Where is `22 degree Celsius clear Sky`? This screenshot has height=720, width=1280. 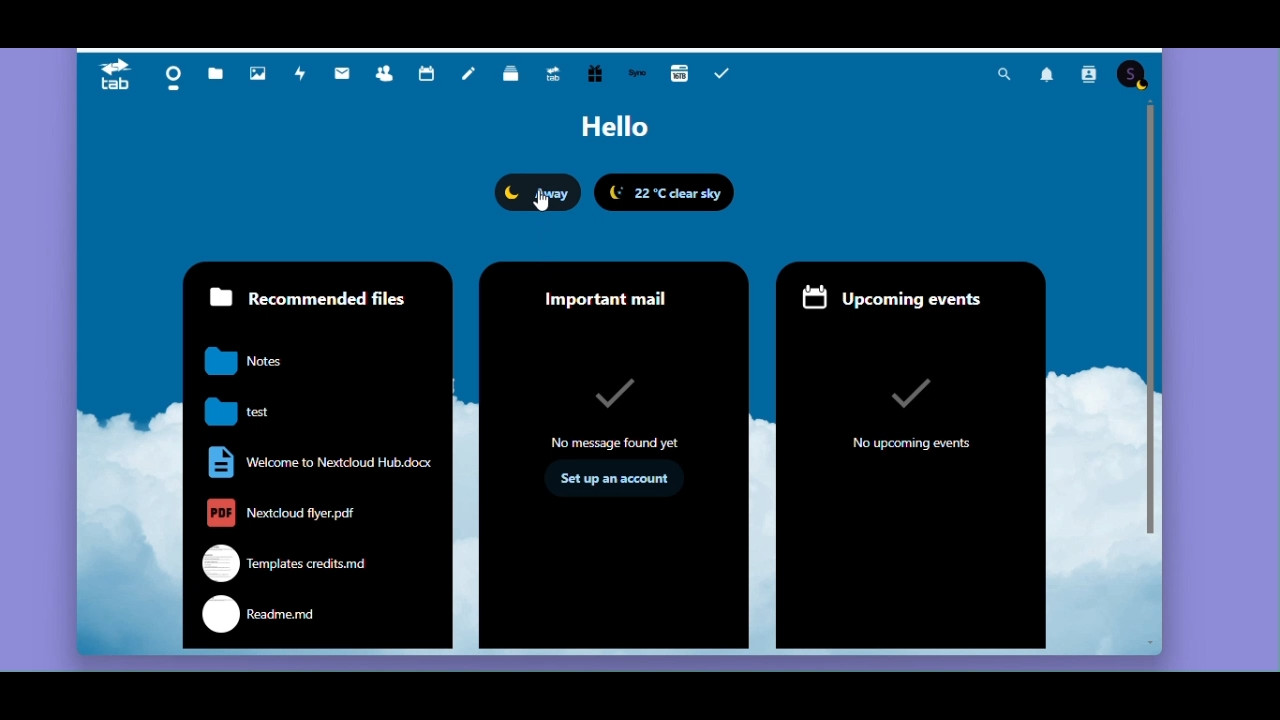 22 degree Celsius clear Sky is located at coordinates (668, 192).